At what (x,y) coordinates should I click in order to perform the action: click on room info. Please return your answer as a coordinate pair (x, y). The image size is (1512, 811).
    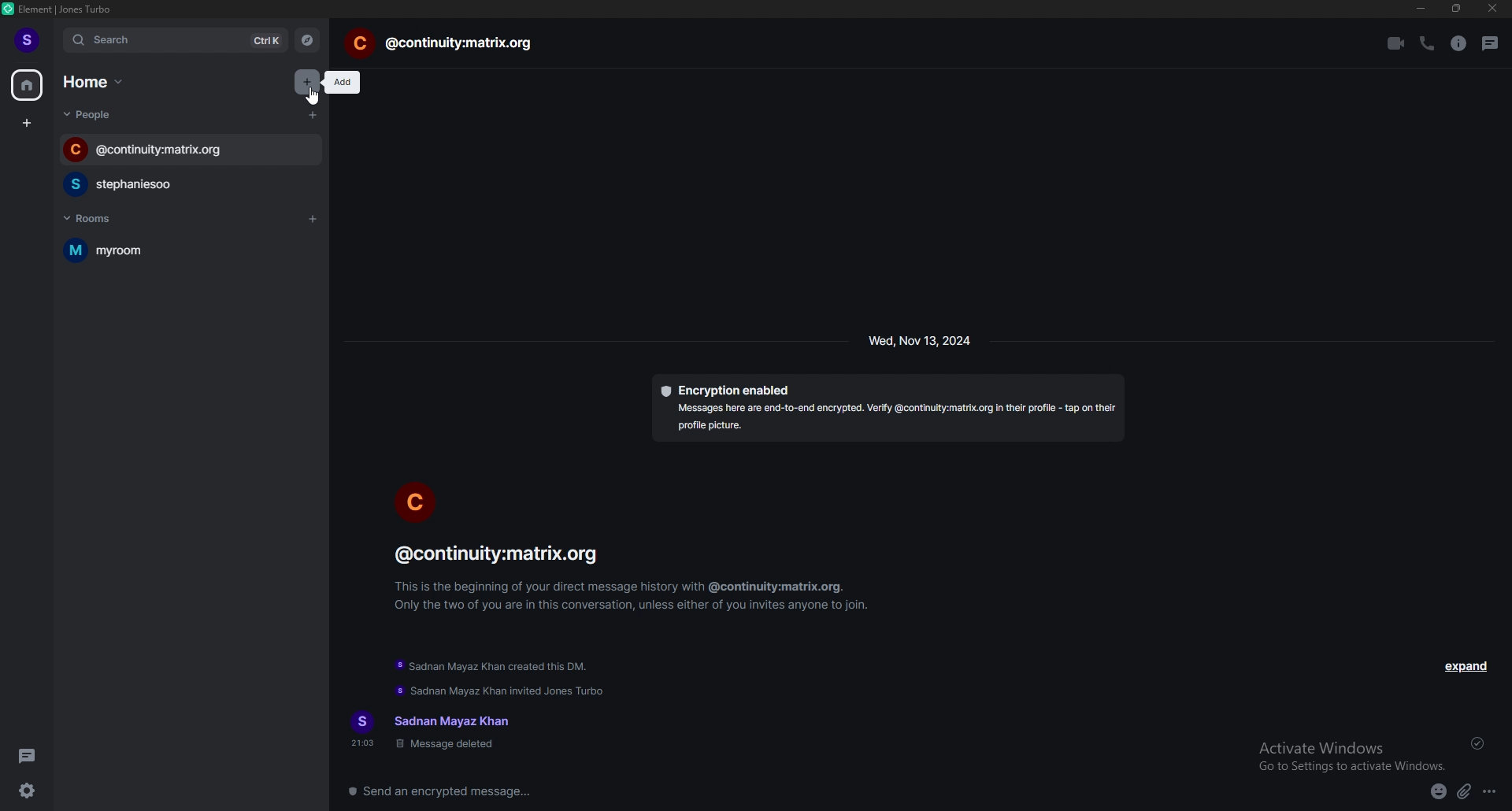
    Looking at the image, I should click on (1458, 44).